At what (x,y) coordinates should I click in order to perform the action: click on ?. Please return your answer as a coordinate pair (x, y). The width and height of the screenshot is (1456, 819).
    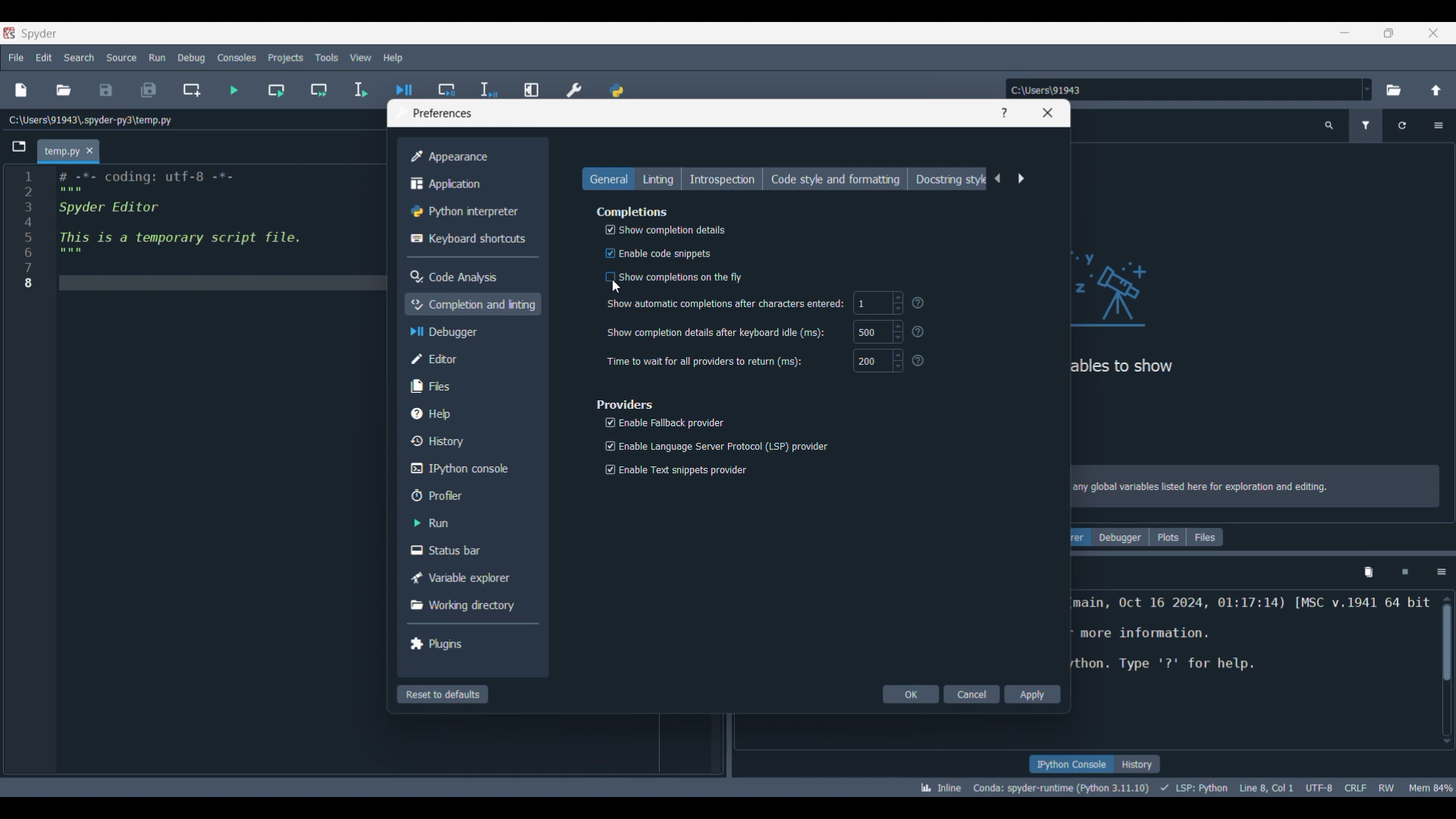
    Looking at the image, I should click on (921, 331).